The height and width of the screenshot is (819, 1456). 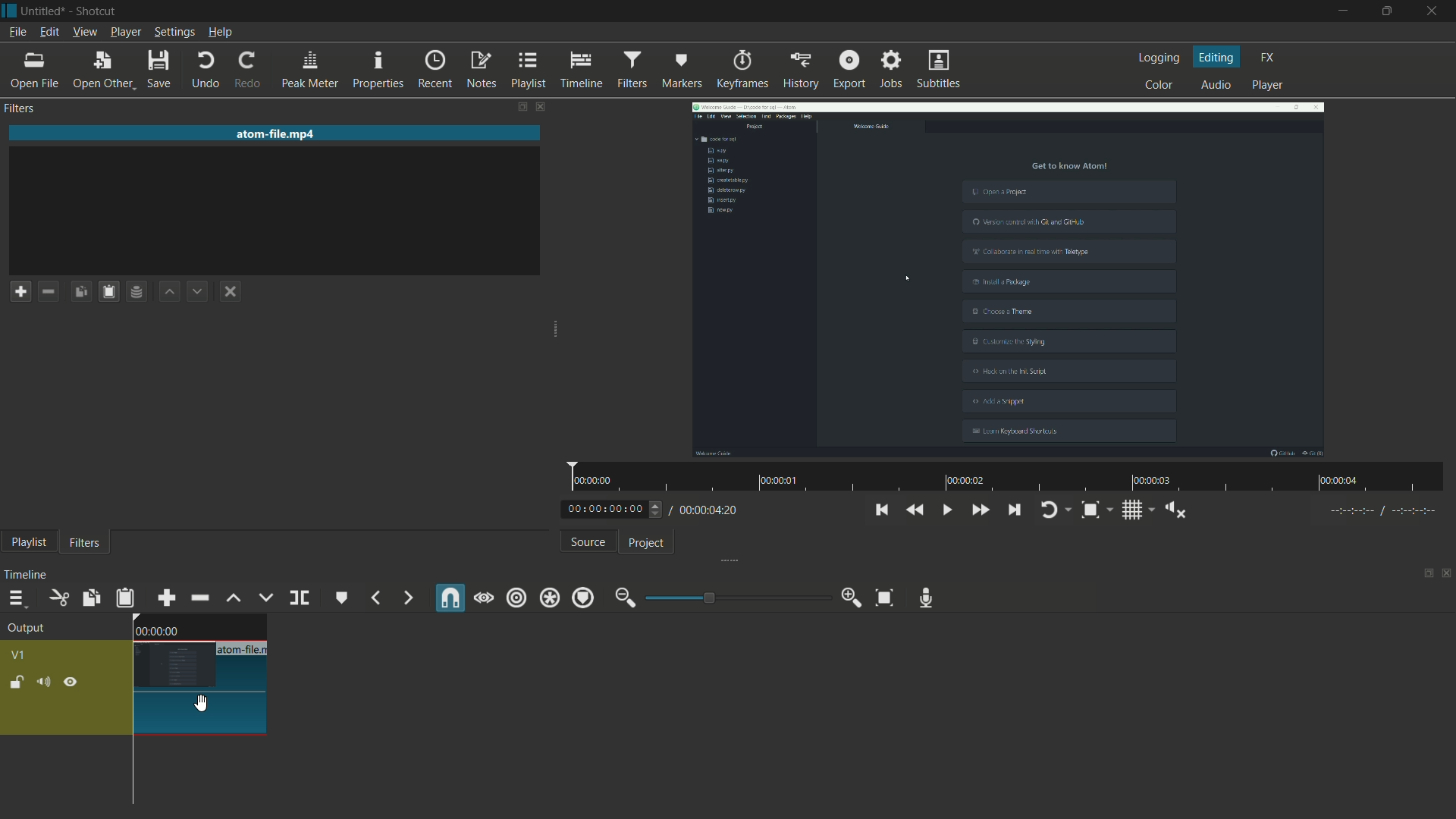 What do you see at coordinates (682, 68) in the screenshot?
I see `markers` at bounding box center [682, 68].